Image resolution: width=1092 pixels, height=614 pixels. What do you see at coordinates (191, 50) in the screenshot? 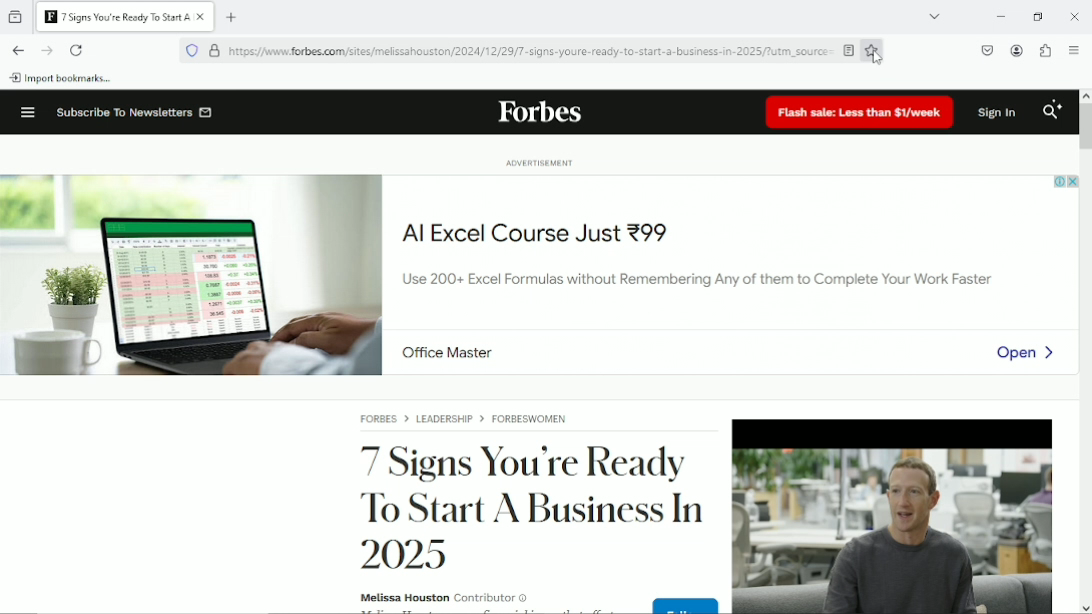
I see `blocking social media trackers` at bounding box center [191, 50].